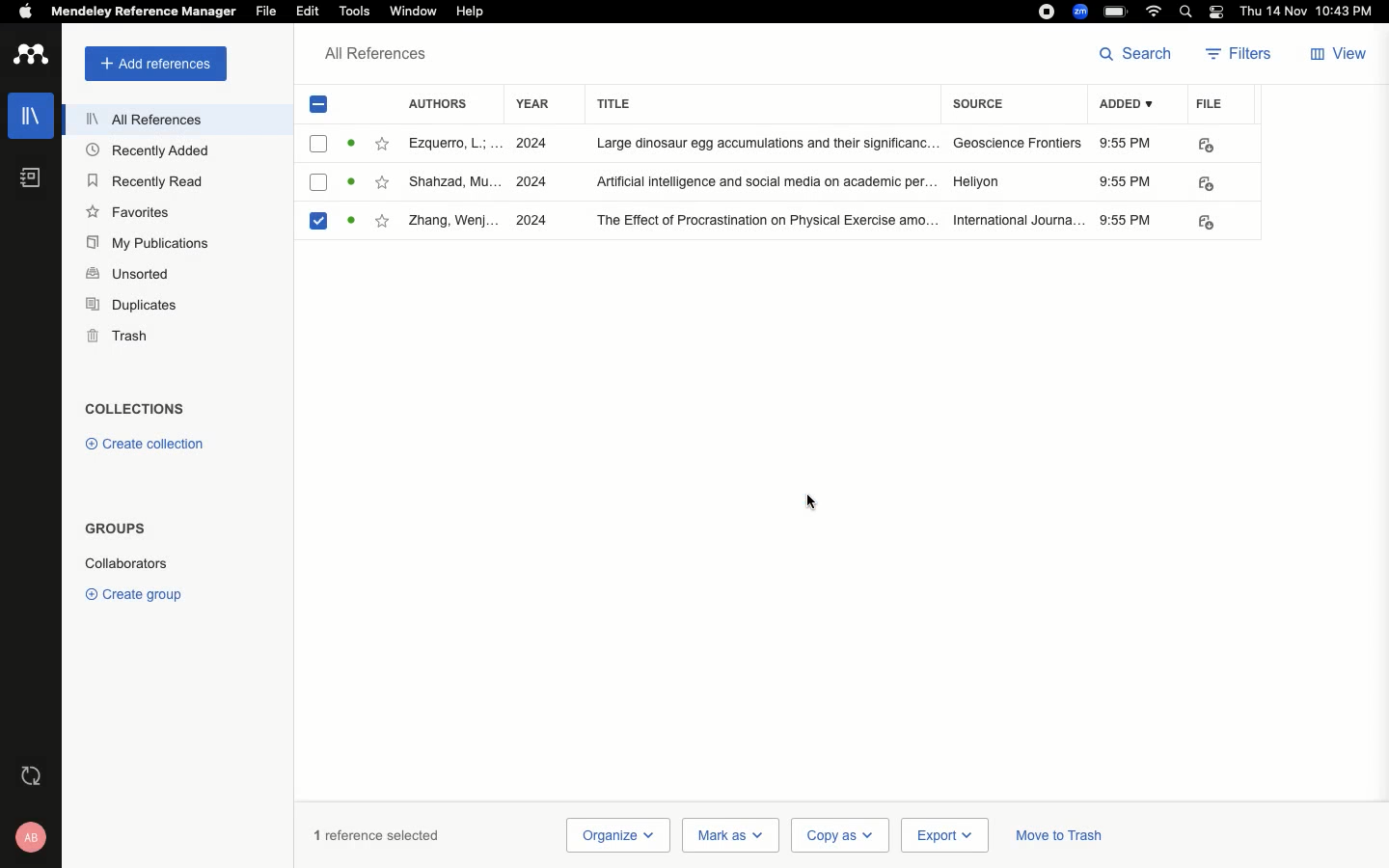 The height and width of the screenshot is (868, 1389). I want to click on Create collection, so click(142, 444).